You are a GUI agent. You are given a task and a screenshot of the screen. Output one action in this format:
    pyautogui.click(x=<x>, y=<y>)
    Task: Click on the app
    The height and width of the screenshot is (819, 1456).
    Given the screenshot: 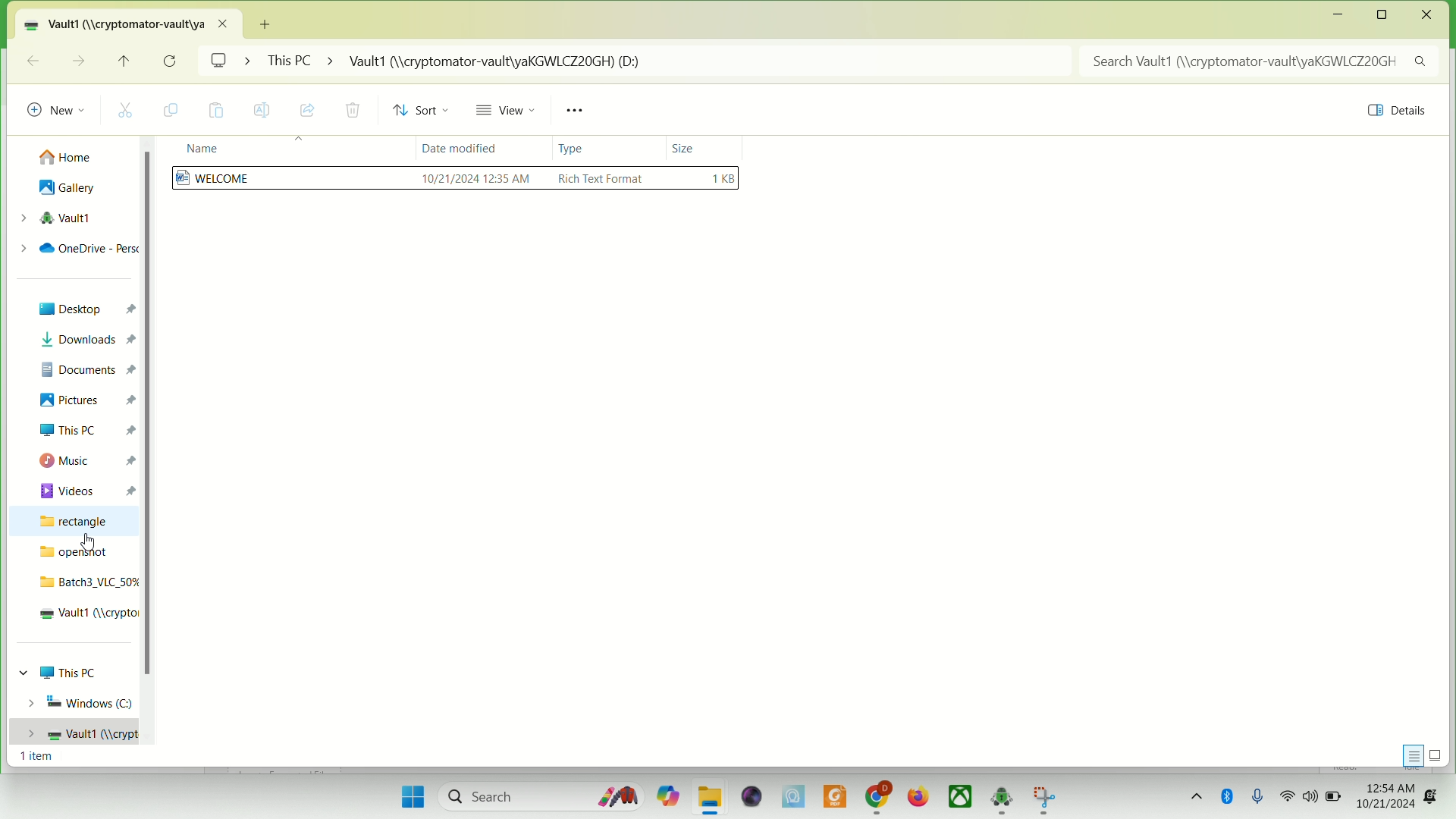 What is the action you would take?
    pyautogui.click(x=1043, y=799)
    